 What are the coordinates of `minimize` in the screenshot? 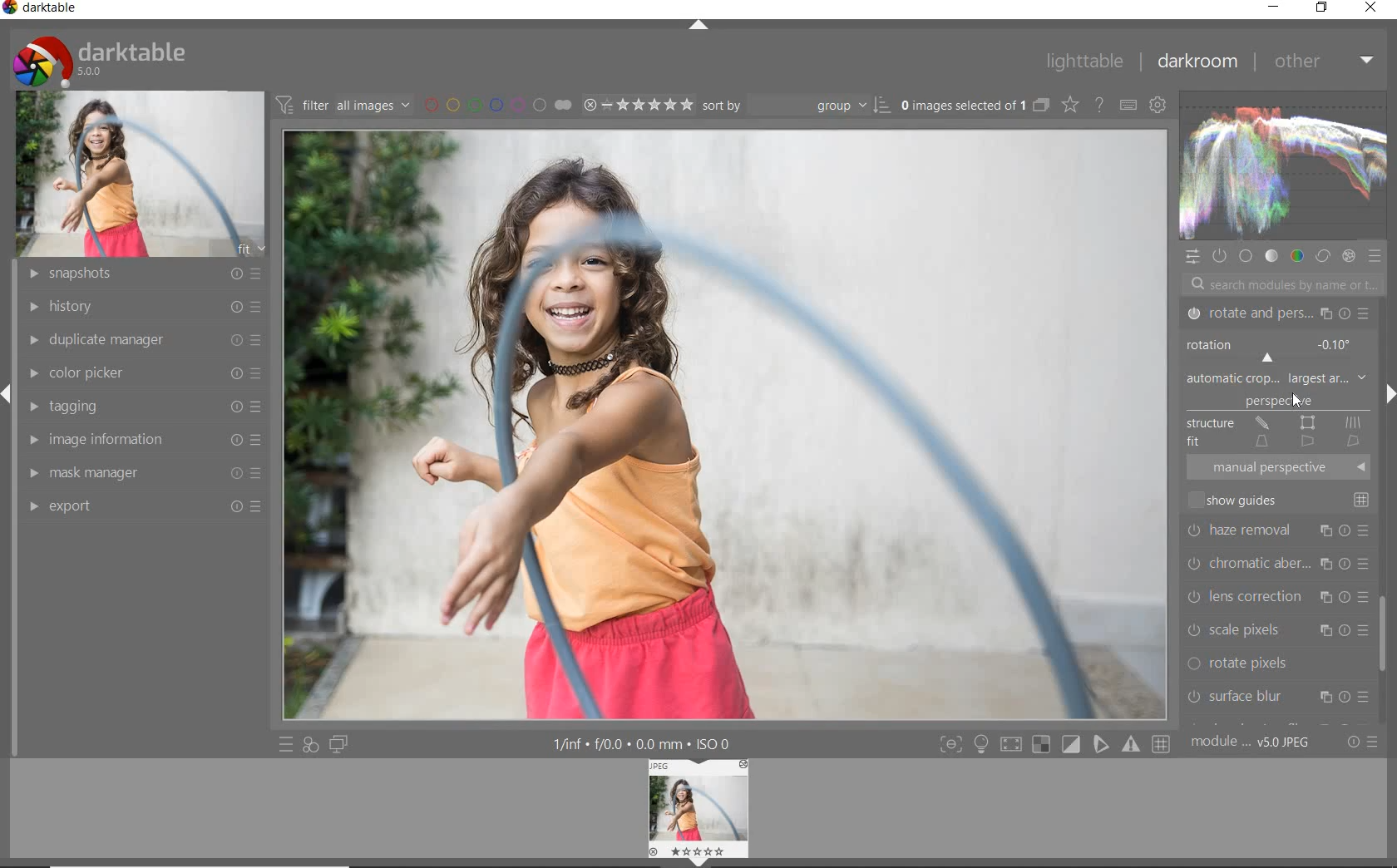 It's located at (1272, 7).